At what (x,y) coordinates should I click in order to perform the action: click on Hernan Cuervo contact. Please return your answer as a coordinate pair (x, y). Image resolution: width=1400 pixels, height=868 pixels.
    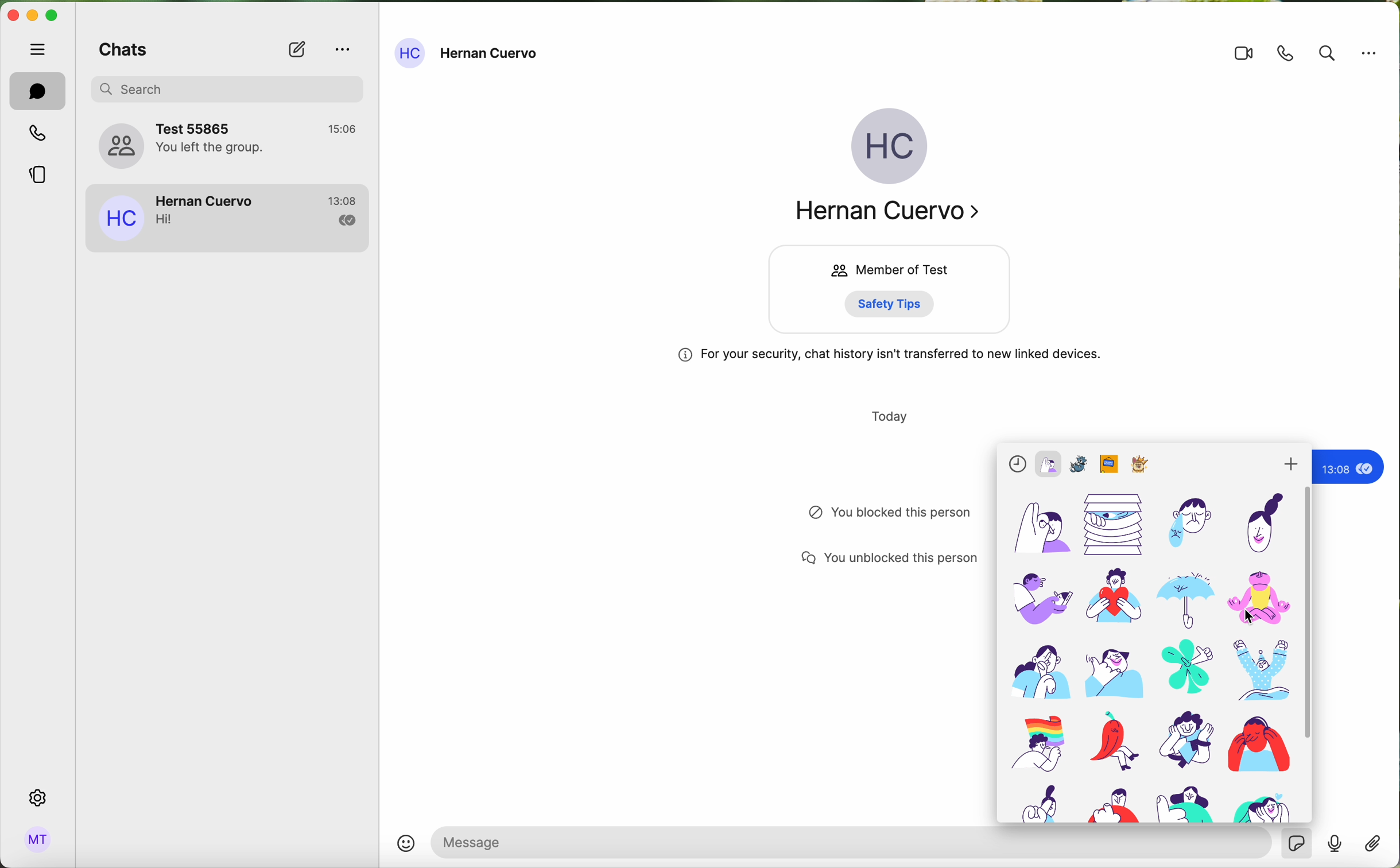
    Looking at the image, I should click on (229, 218).